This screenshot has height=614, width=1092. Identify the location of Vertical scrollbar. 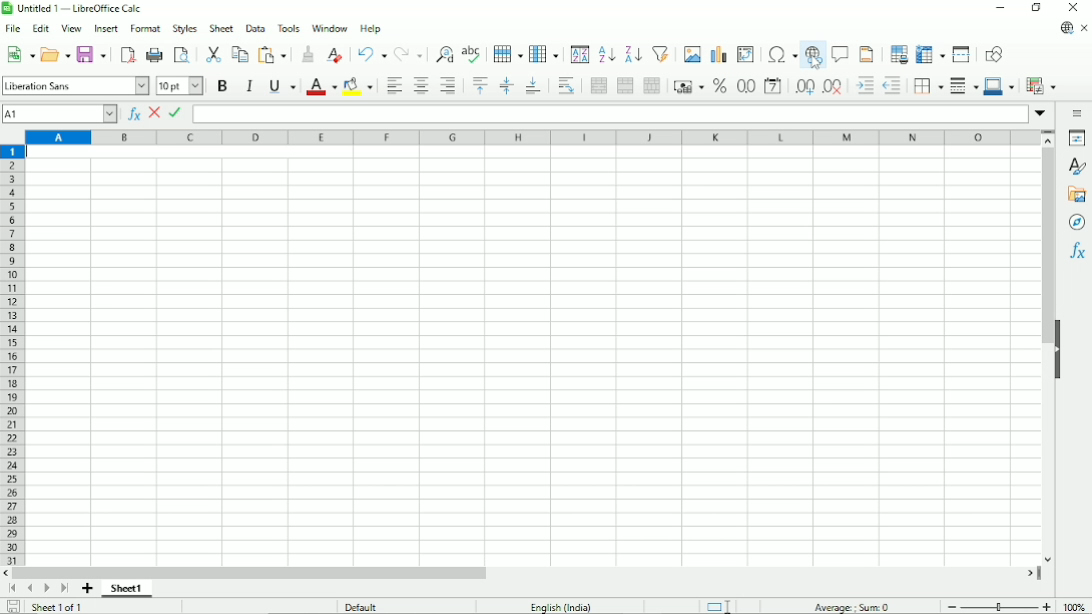
(1048, 249).